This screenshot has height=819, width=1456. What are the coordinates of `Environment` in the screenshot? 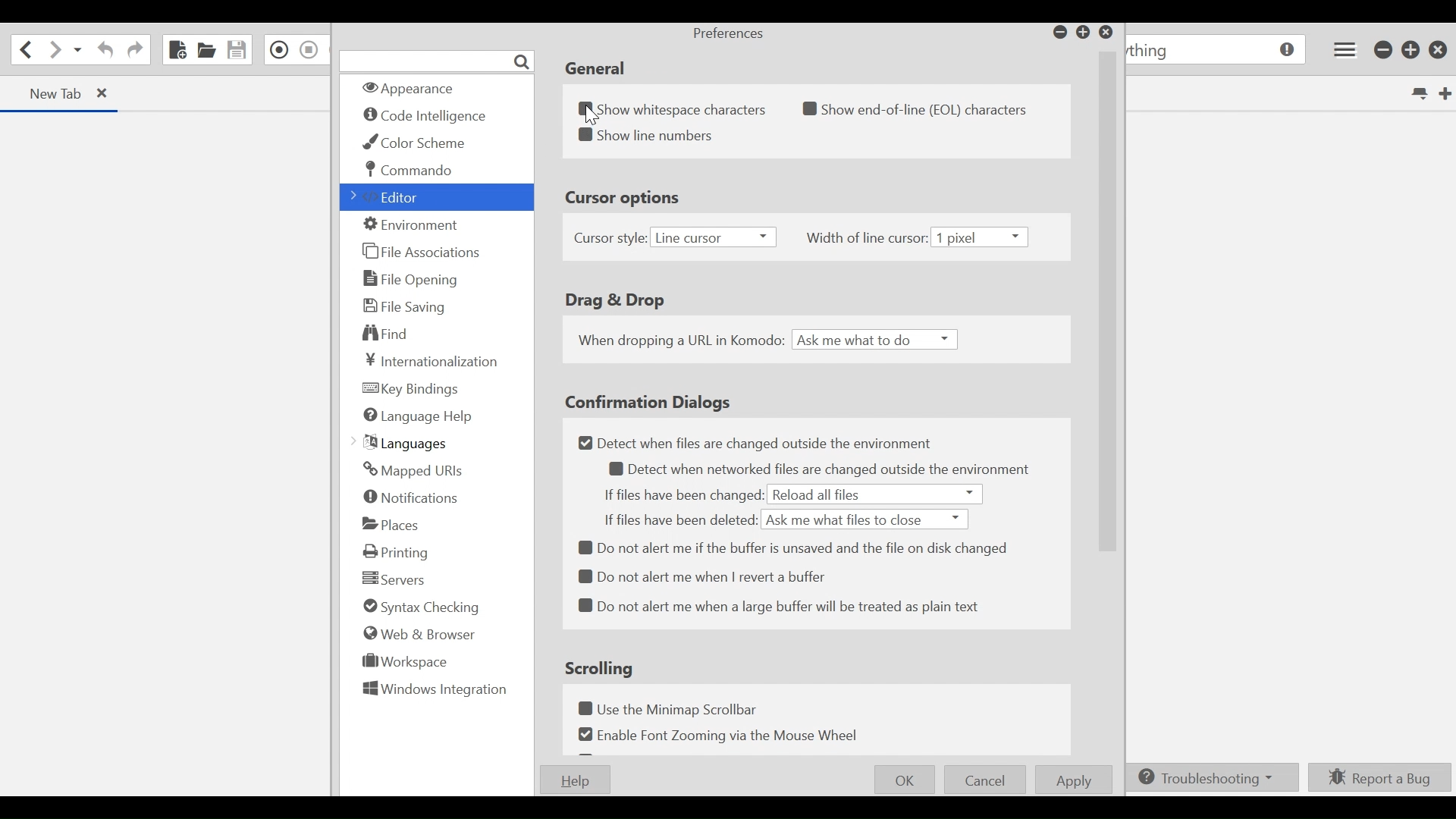 It's located at (408, 224).